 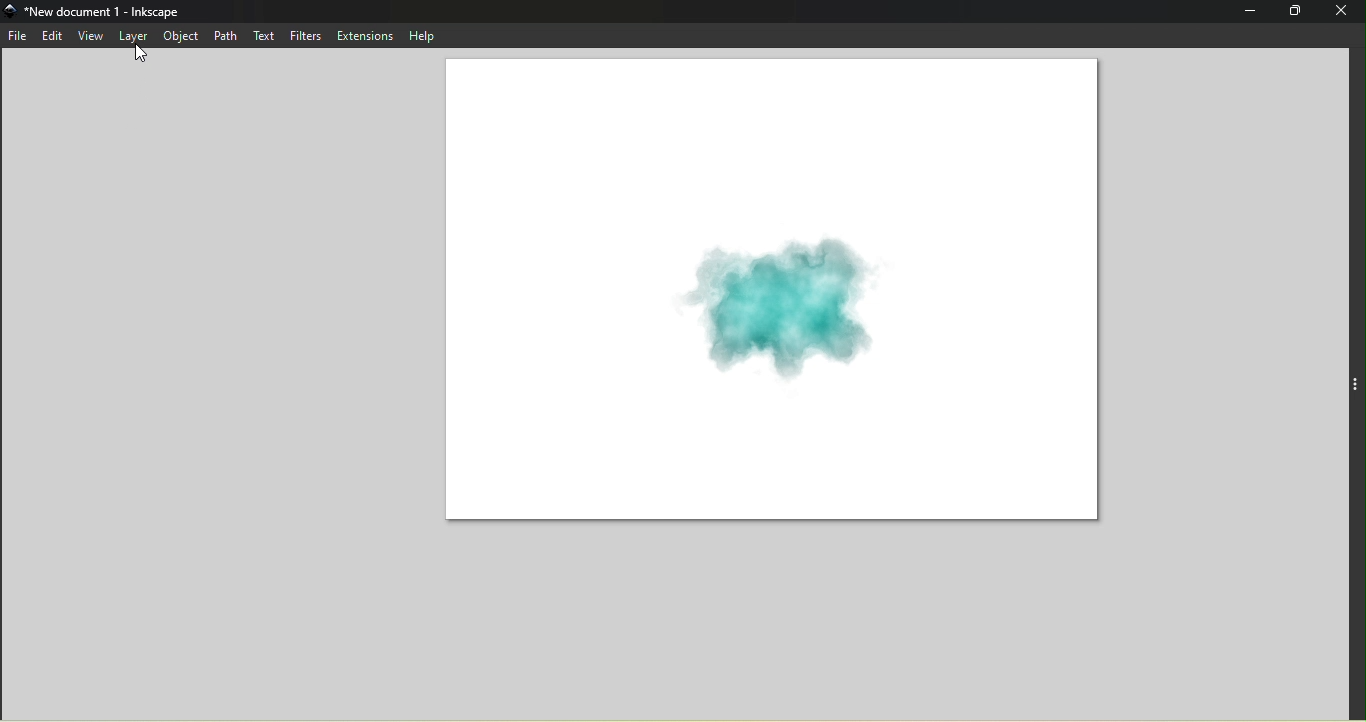 What do you see at coordinates (52, 36) in the screenshot?
I see `Edit` at bounding box center [52, 36].